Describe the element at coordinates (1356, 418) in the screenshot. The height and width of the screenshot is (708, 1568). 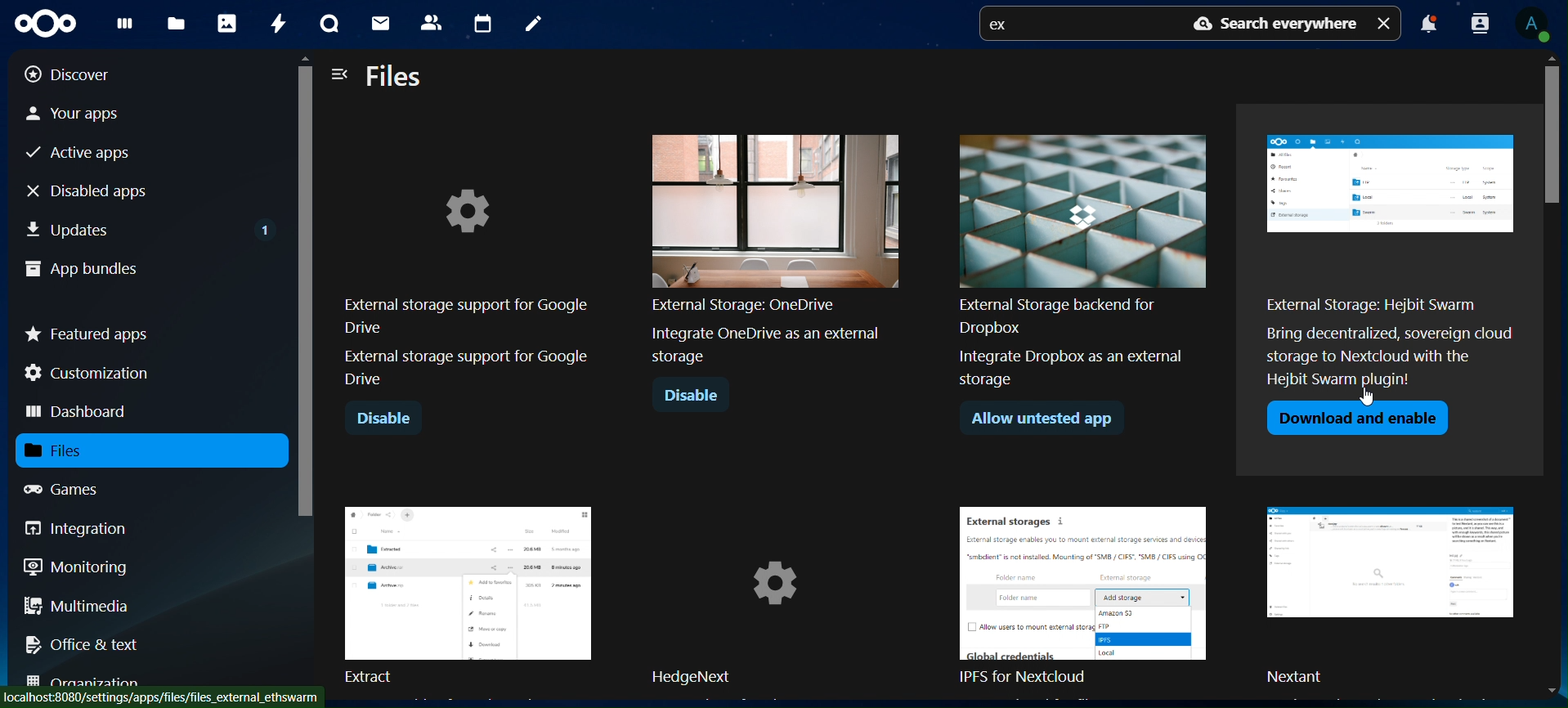
I see `download and enable` at that location.